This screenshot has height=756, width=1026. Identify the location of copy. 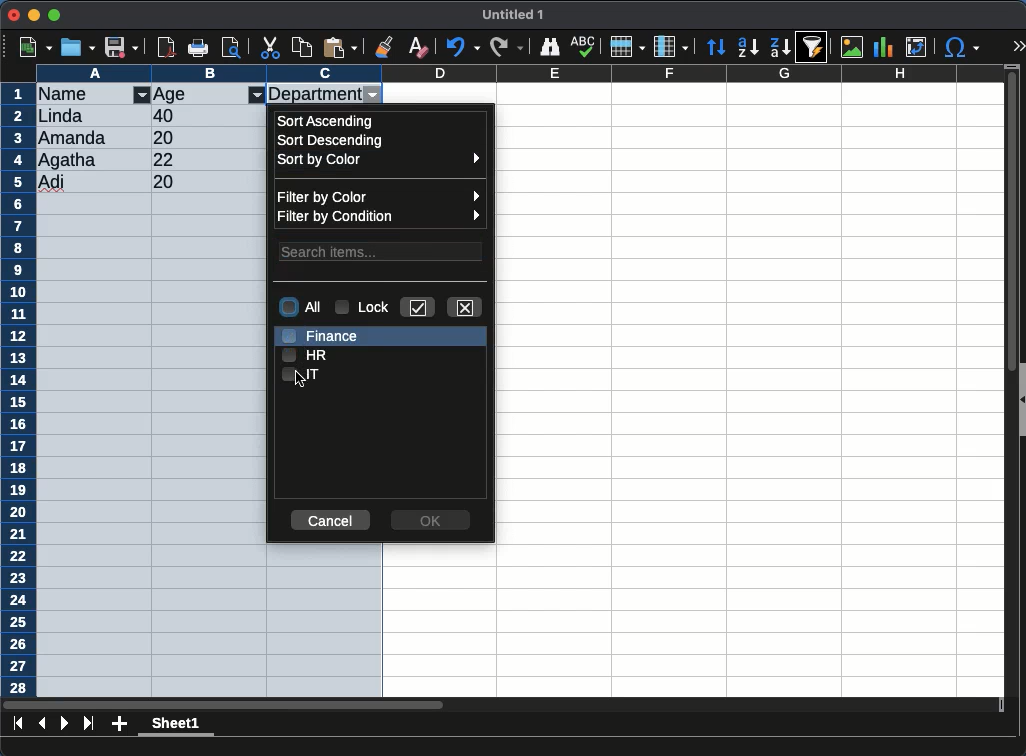
(303, 47).